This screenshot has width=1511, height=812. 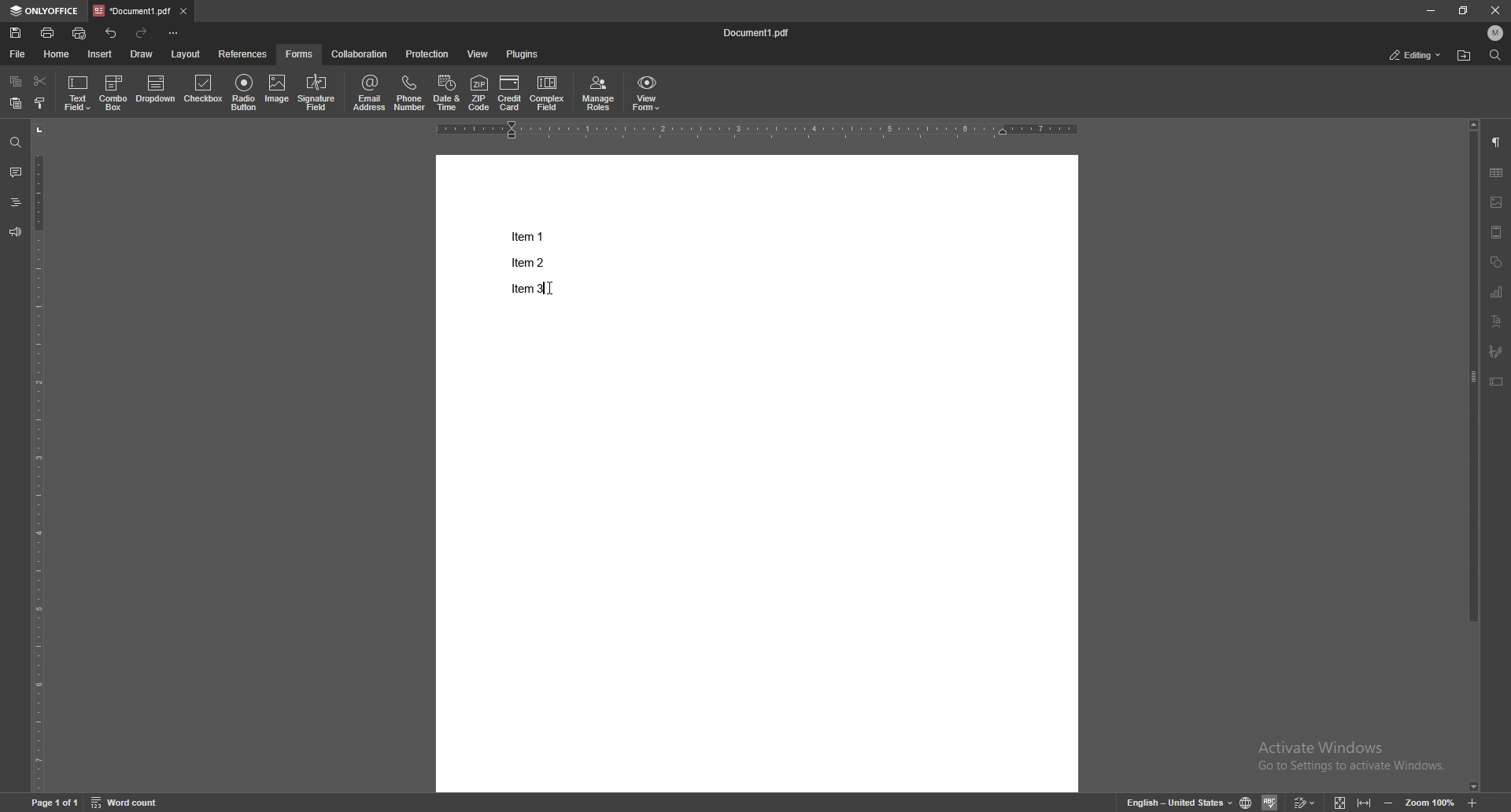 I want to click on word count, so click(x=125, y=802).